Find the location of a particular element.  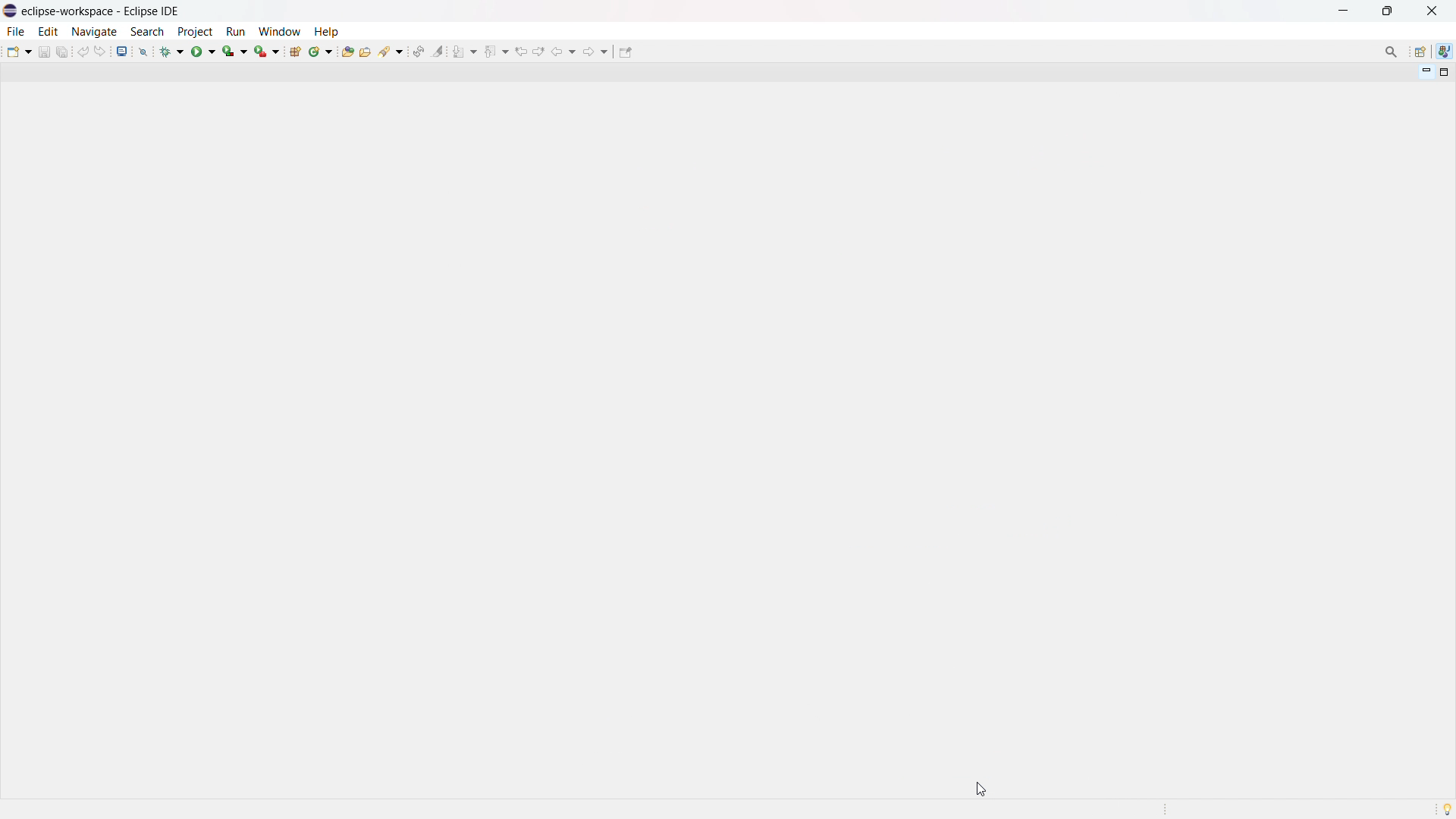

previous annotation is located at coordinates (496, 51).